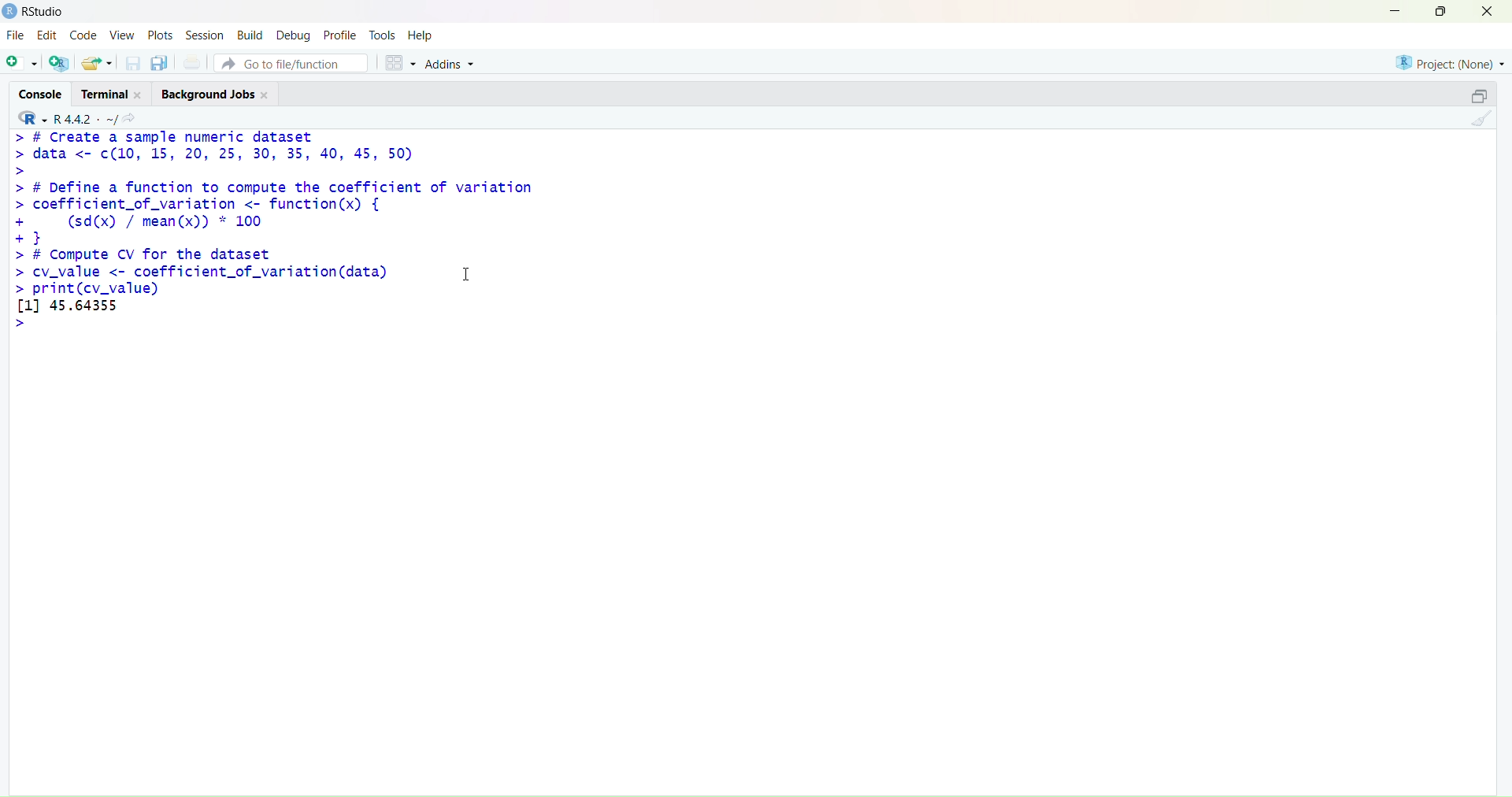 The width and height of the screenshot is (1512, 797). What do you see at coordinates (402, 63) in the screenshot?
I see `grid` at bounding box center [402, 63].